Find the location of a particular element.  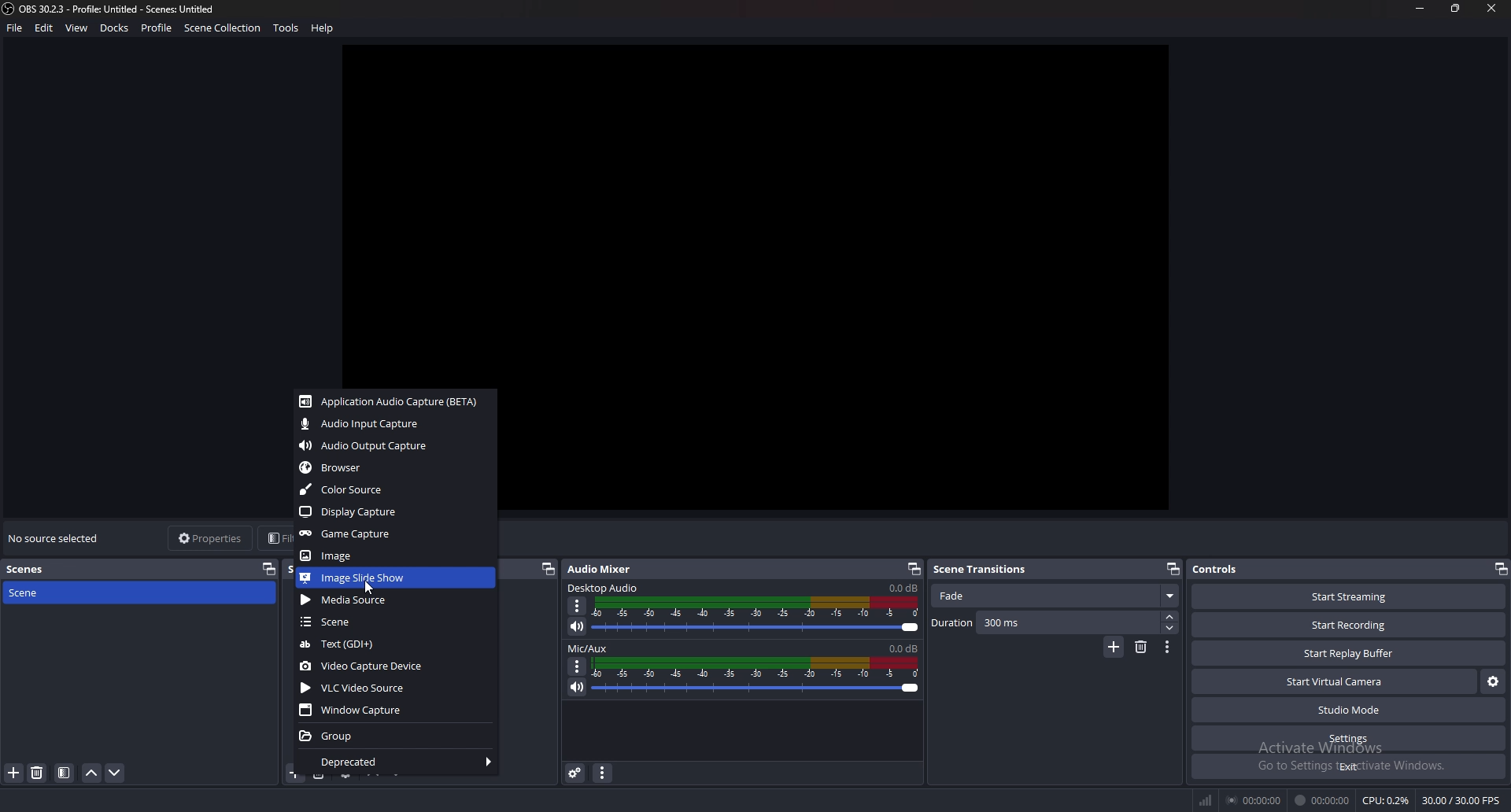

text is located at coordinates (393, 645).